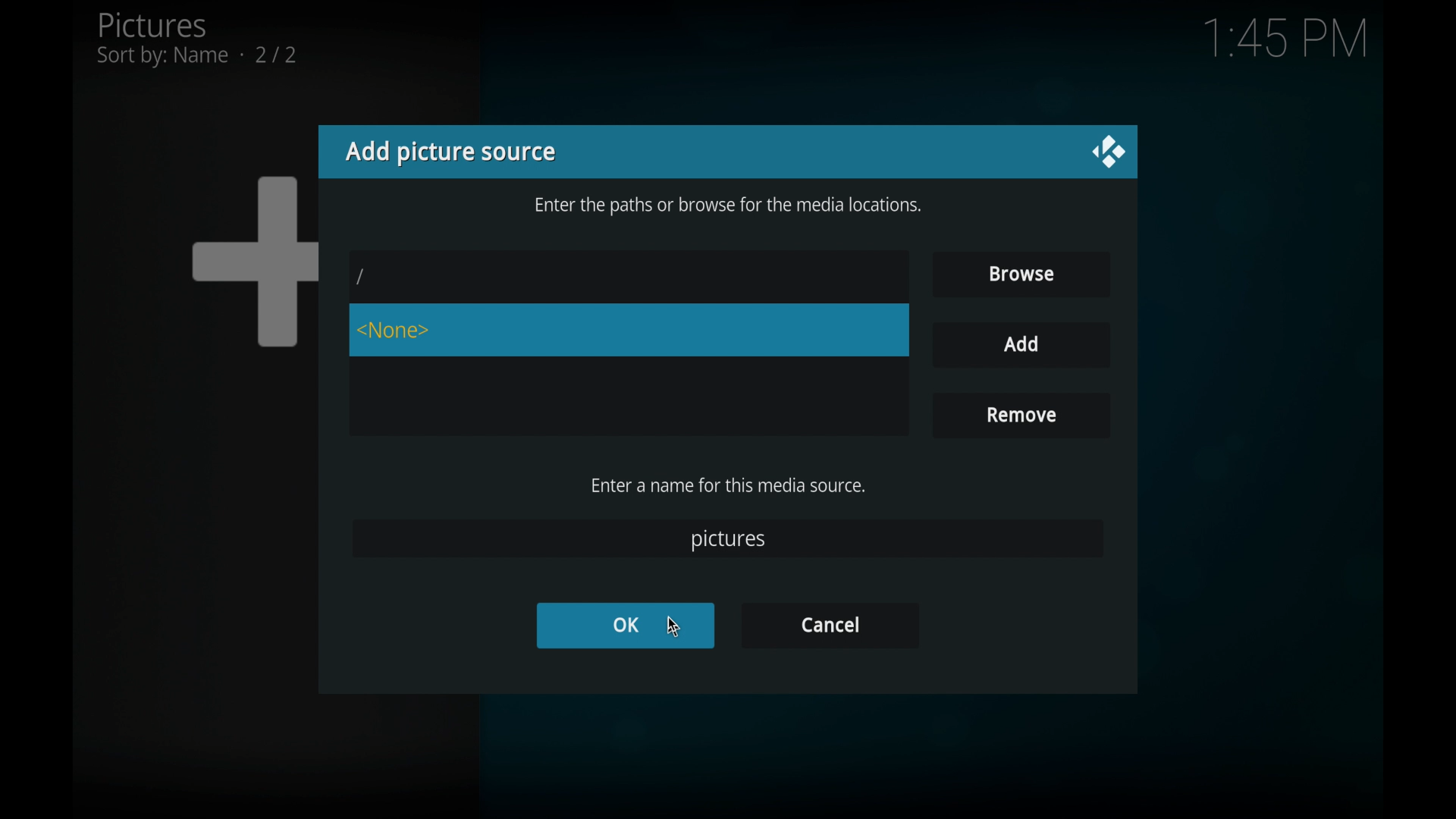  Describe the element at coordinates (1021, 345) in the screenshot. I see `add` at that location.